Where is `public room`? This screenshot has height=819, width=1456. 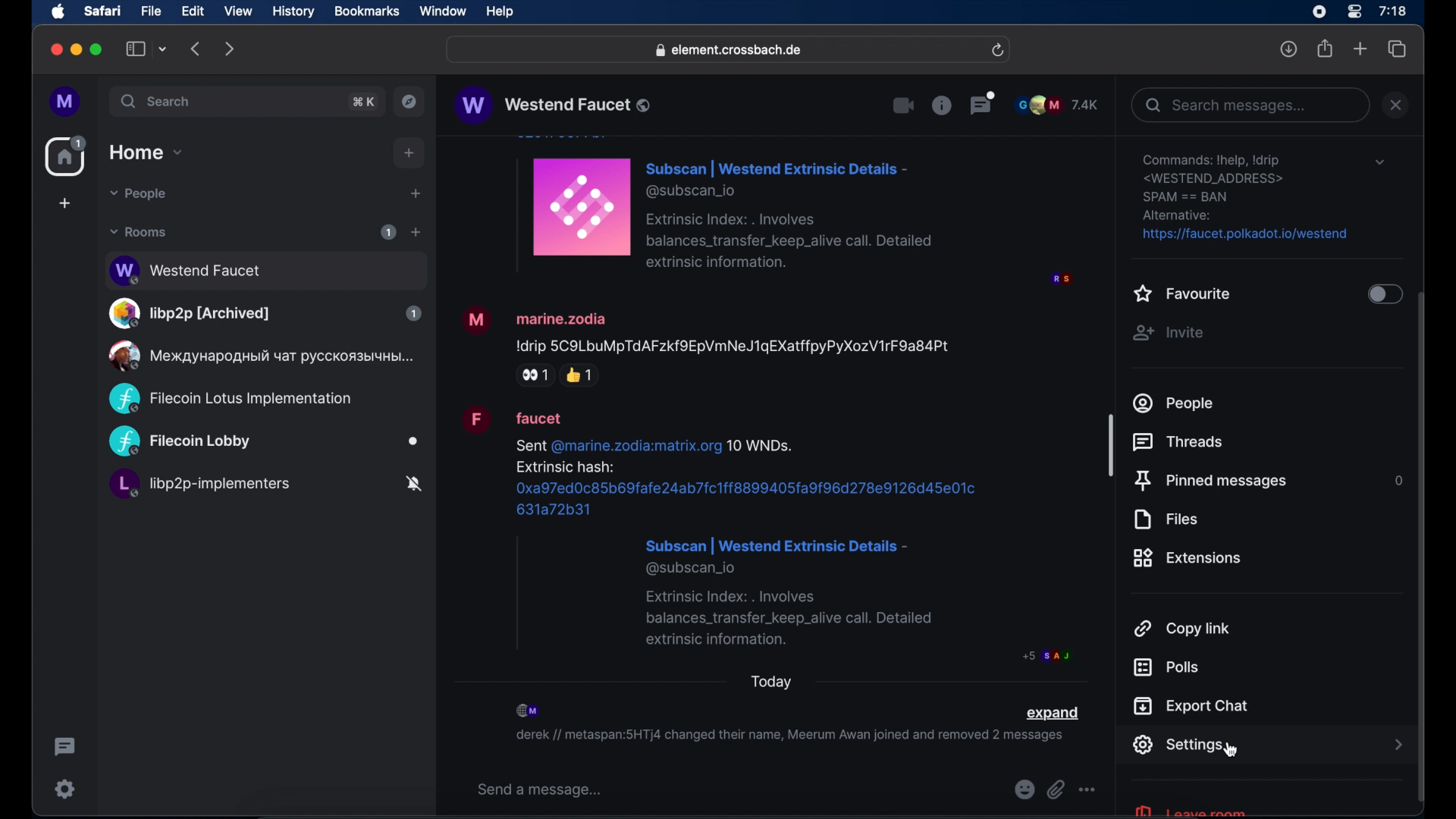 public room is located at coordinates (265, 486).